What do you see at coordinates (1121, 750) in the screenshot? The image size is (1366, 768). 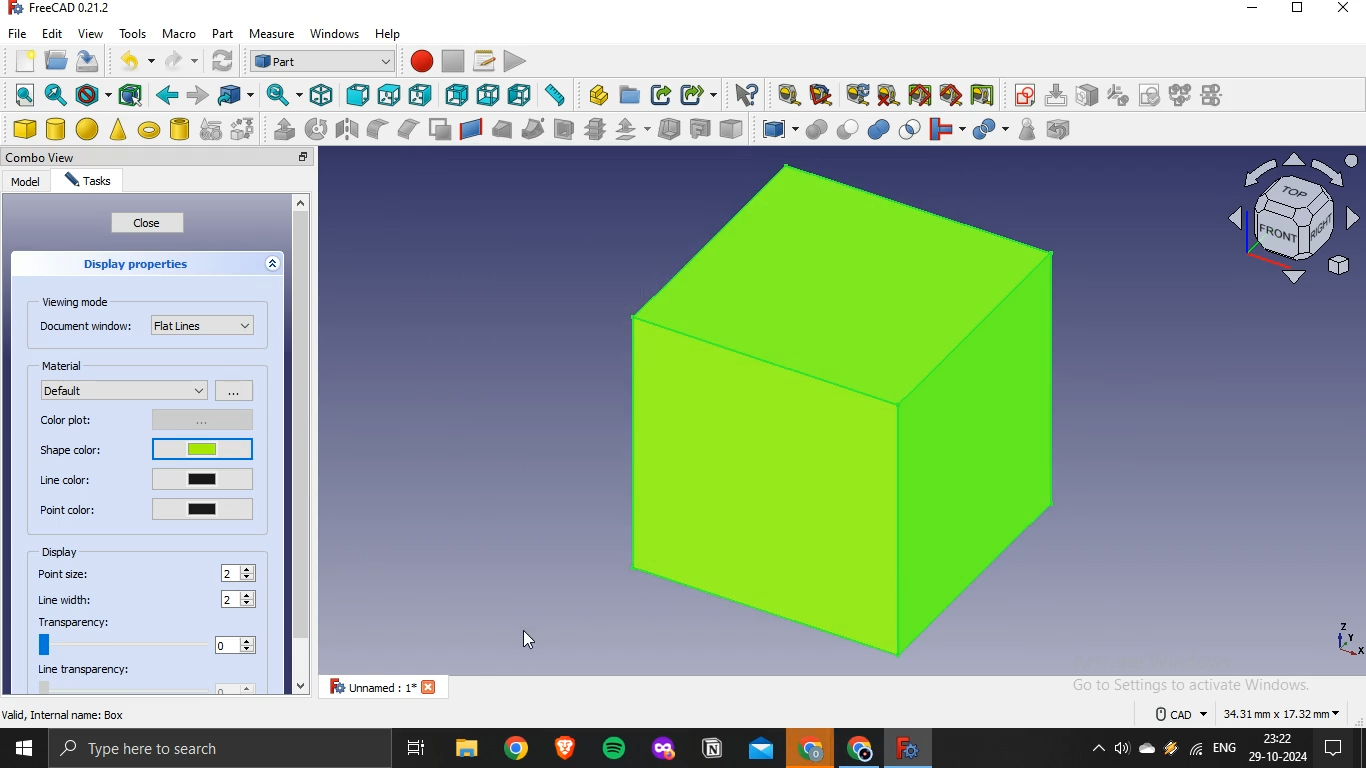 I see `volume` at bounding box center [1121, 750].